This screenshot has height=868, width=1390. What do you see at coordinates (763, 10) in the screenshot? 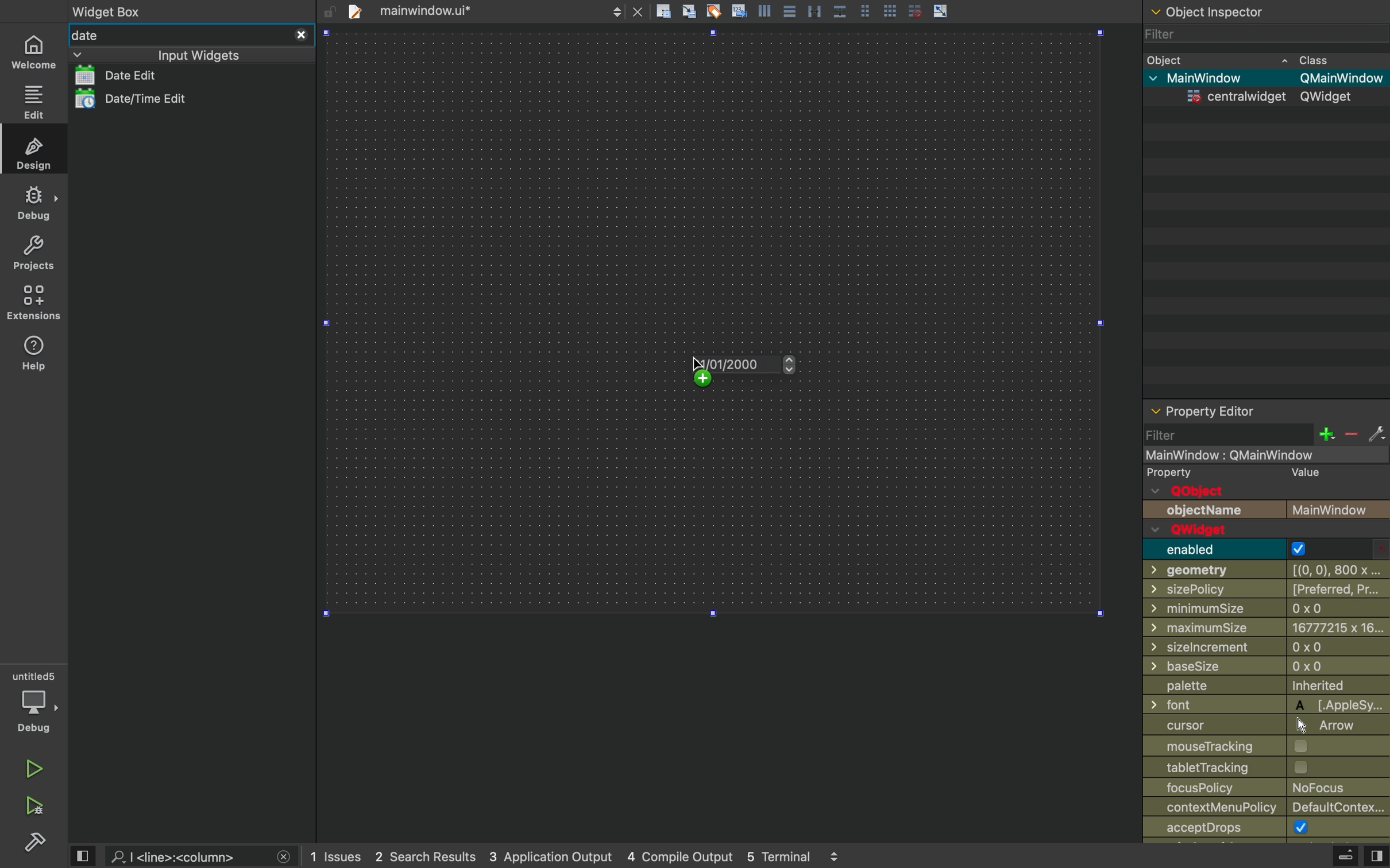
I see `align left` at bounding box center [763, 10].